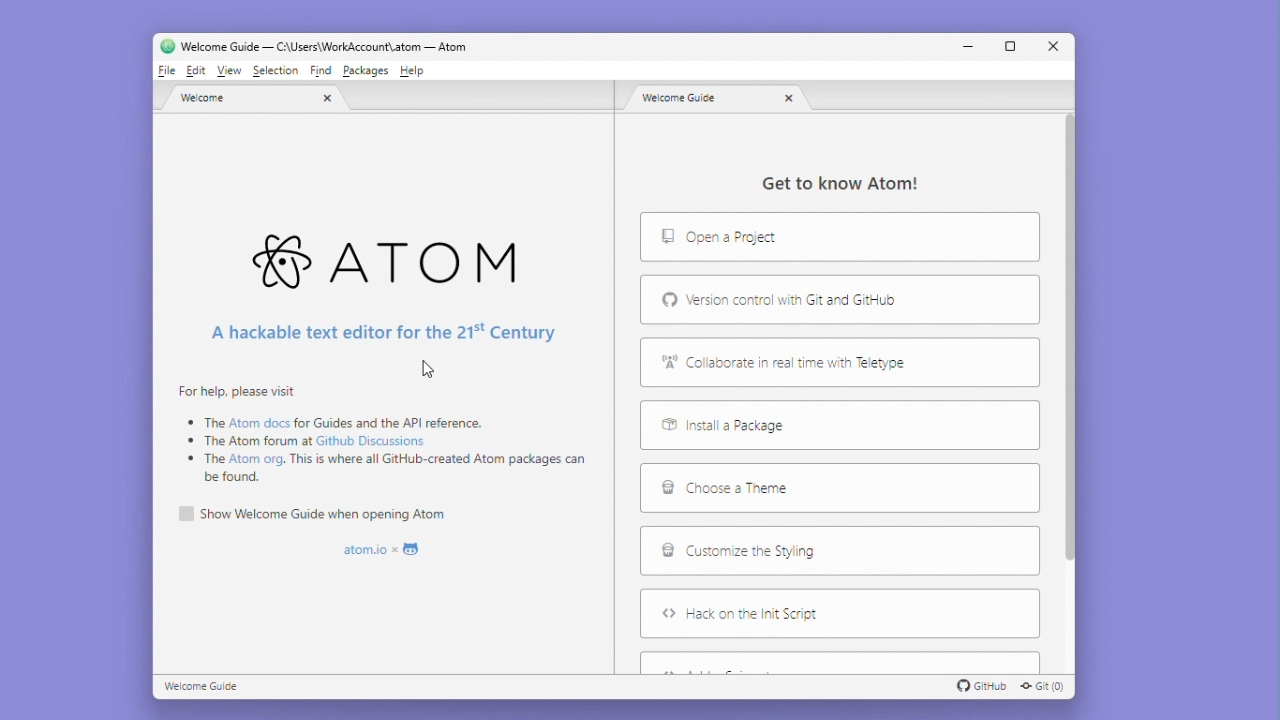 This screenshot has width=1280, height=720. Describe the element at coordinates (387, 334) in the screenshot. I see `A hackable text editor for the 21*' Century` at that location.